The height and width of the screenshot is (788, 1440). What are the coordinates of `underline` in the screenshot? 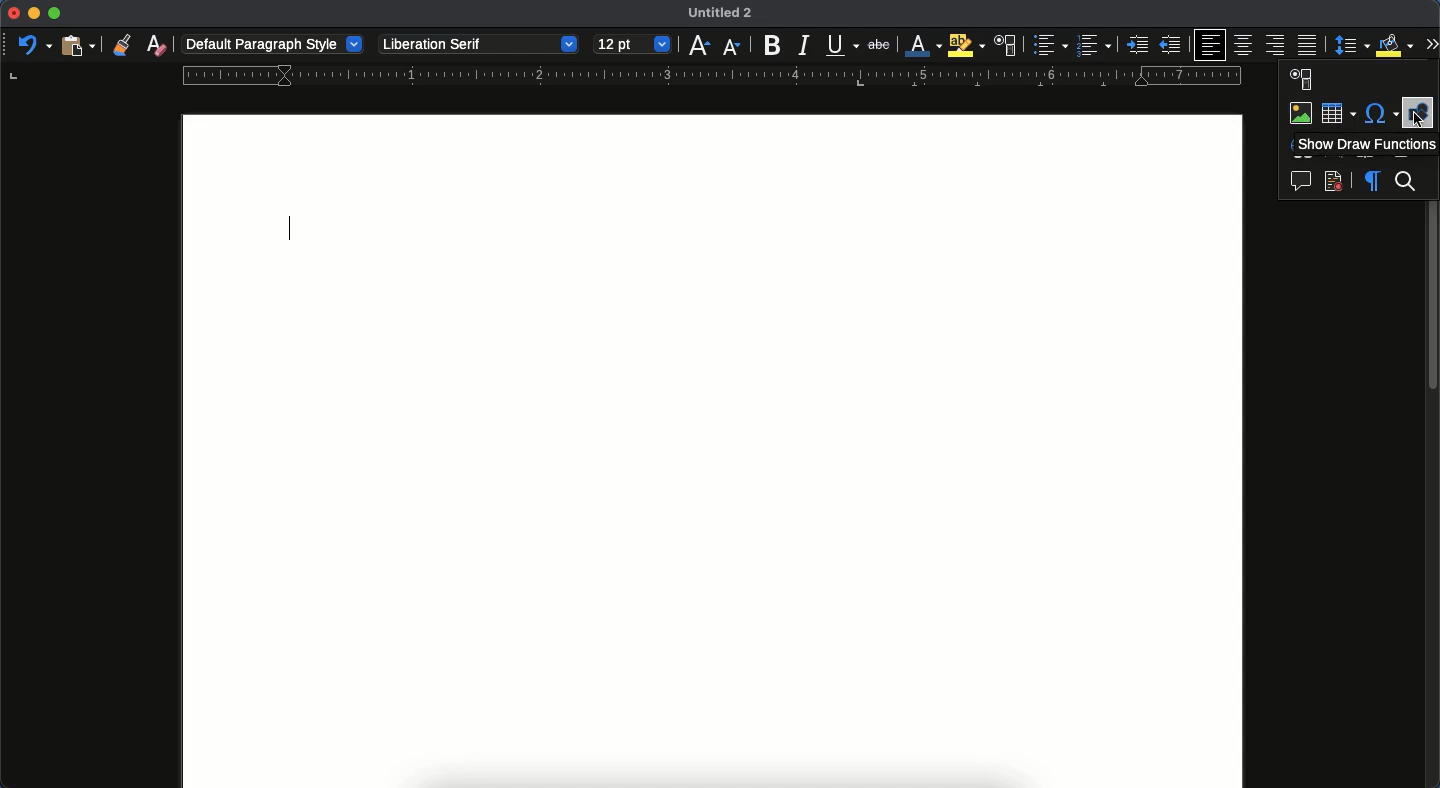 It's located at (842, 46).